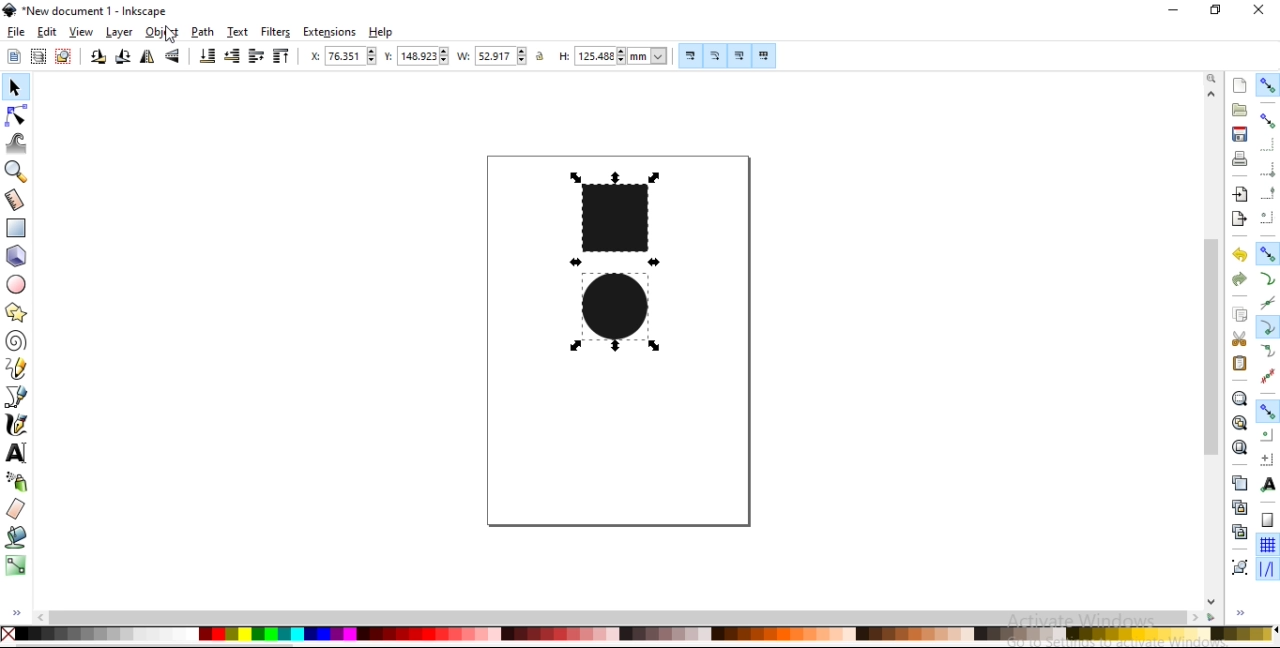 The image size is (1280, 648). What do you see at coordinates (17, 510) in the screenshot?
I see `erase existing paths` at bounding box center [17, 510].